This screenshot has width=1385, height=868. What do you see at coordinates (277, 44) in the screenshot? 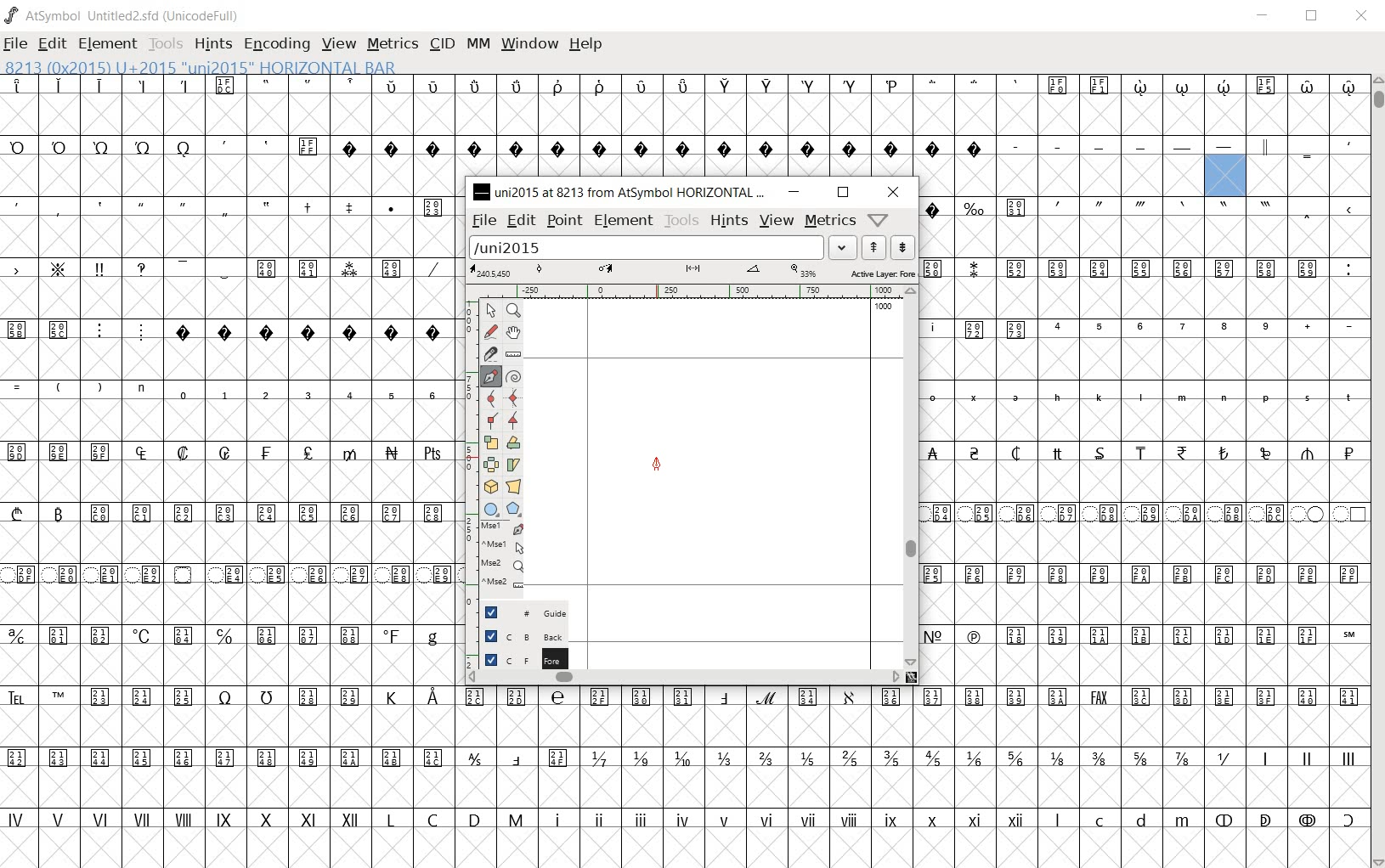
I see `ENCODING` at bounding box center [277, 44].